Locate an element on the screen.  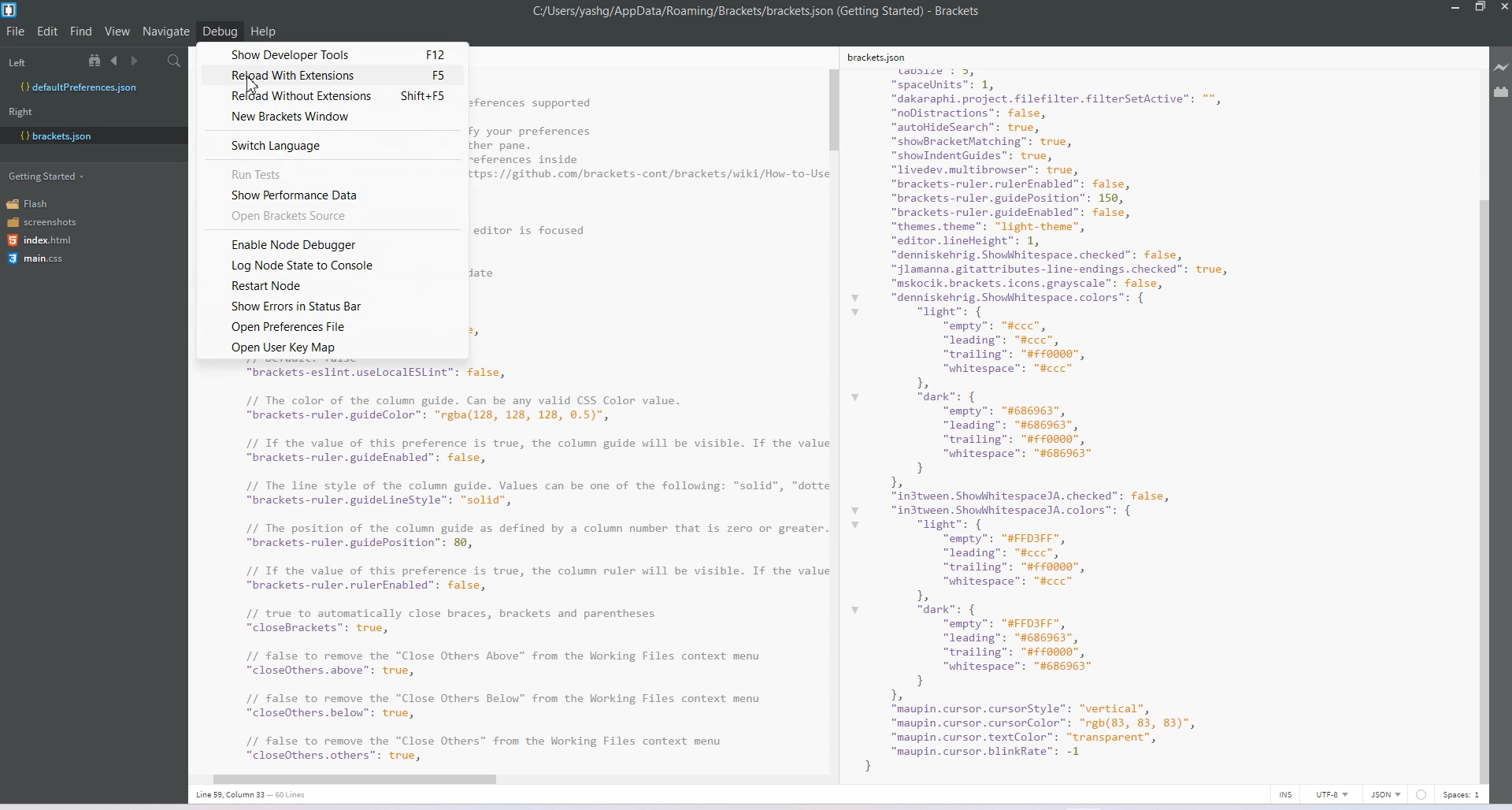
kets. son
size : 3,
“spacelnits": 1,
“dakaraphi.project. filefilter. filterSetActive”: "*,
“noDistractions”: false,
“autohideSearch”: true,
“showBracketMatching”: true,
“showIndentGuides”: true,
“livedev.multibrowser”: true,
“brackets-ruler.rulerEnabled": false,
“brackets-ruler.guidePosition”: 150,
“brackets-ruler.guideEnabled": false,
“themes theme": "light-theme",
“editor. lineHeight": 1,
“denniskehrig. Showhhitespace. checked": false,
“jlamanna.gitattributes-line-endings. checked": true,
“mskocik.brackets.icons.grayscale": false,
“denniskehrig. Showhitespace. colors”: {
“light”: {
“empty”: "#ccc”,
“leading”: "#ccc”,
“trailing”: "#0000",
“whitespace”: "#ccc”
b
“dark”: {
“empty”: "#686963",
["leading”: "#686963",
“trailing”: "#0000",
“whitespace”: "#686963"
}
Ia
“in3tween. ShowhhitespaceJA. checked": false,
“in3tween. ShowhhitespaceJA. colors”: {
“light”: {
“empty”: "#FFDIFF",
“leading”: "#ccc”,
“trailing”: "#0000",
“whitespace”: "#ccc”
bh
“dark”: {
“empty”: "#FFDIFF",
“leading”: "#686963",
“trailing”: "#0000",
“whitespace”: "#686963"
}
b
“maupin. cursor. cursorStyle”: “vertical”,
“maupin. cursor. cursorColor™: "rgh(83, 83, 83)",
“maupin.cursor.textColor”: “transparent”,
“maupin. cursor. blinkRate": 1000 |
: is located at coordinates (1076, 411).